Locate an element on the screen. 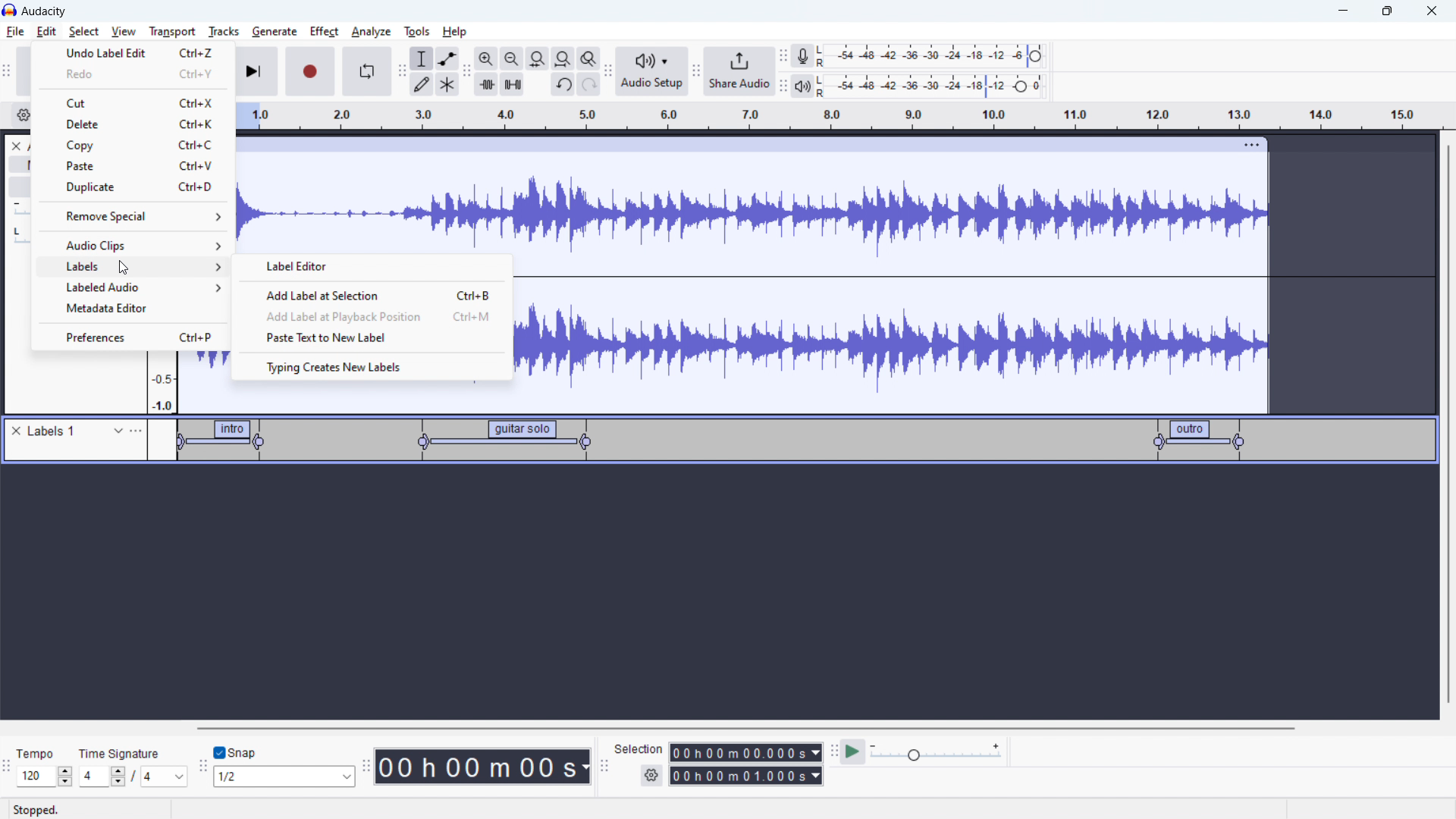 The height and width of the screenshot is (819, 1456). zoom in is located at coordinates (486, 58).